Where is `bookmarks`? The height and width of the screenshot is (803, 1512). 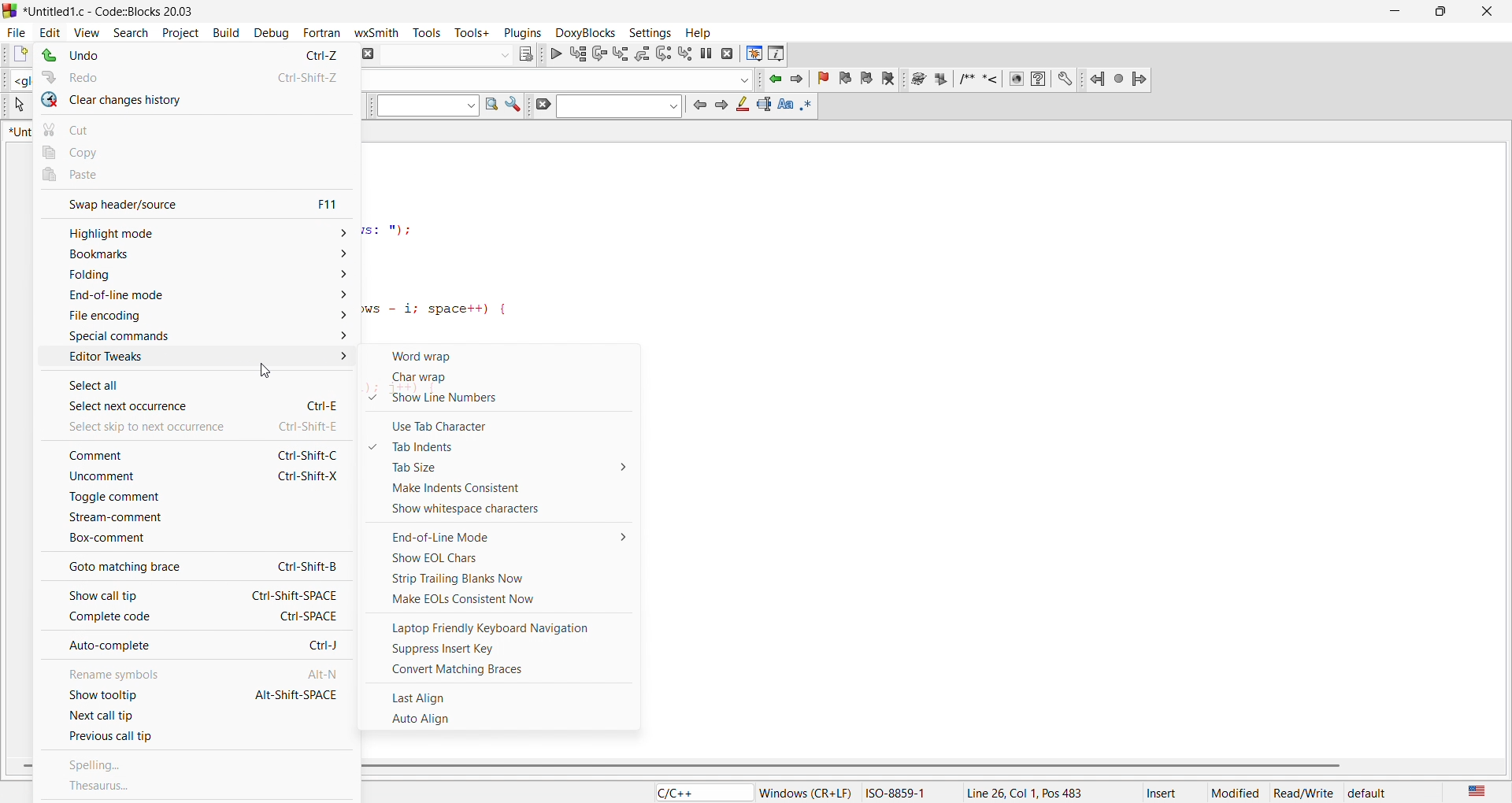
bookmarks is located at coordinates (195, 257).